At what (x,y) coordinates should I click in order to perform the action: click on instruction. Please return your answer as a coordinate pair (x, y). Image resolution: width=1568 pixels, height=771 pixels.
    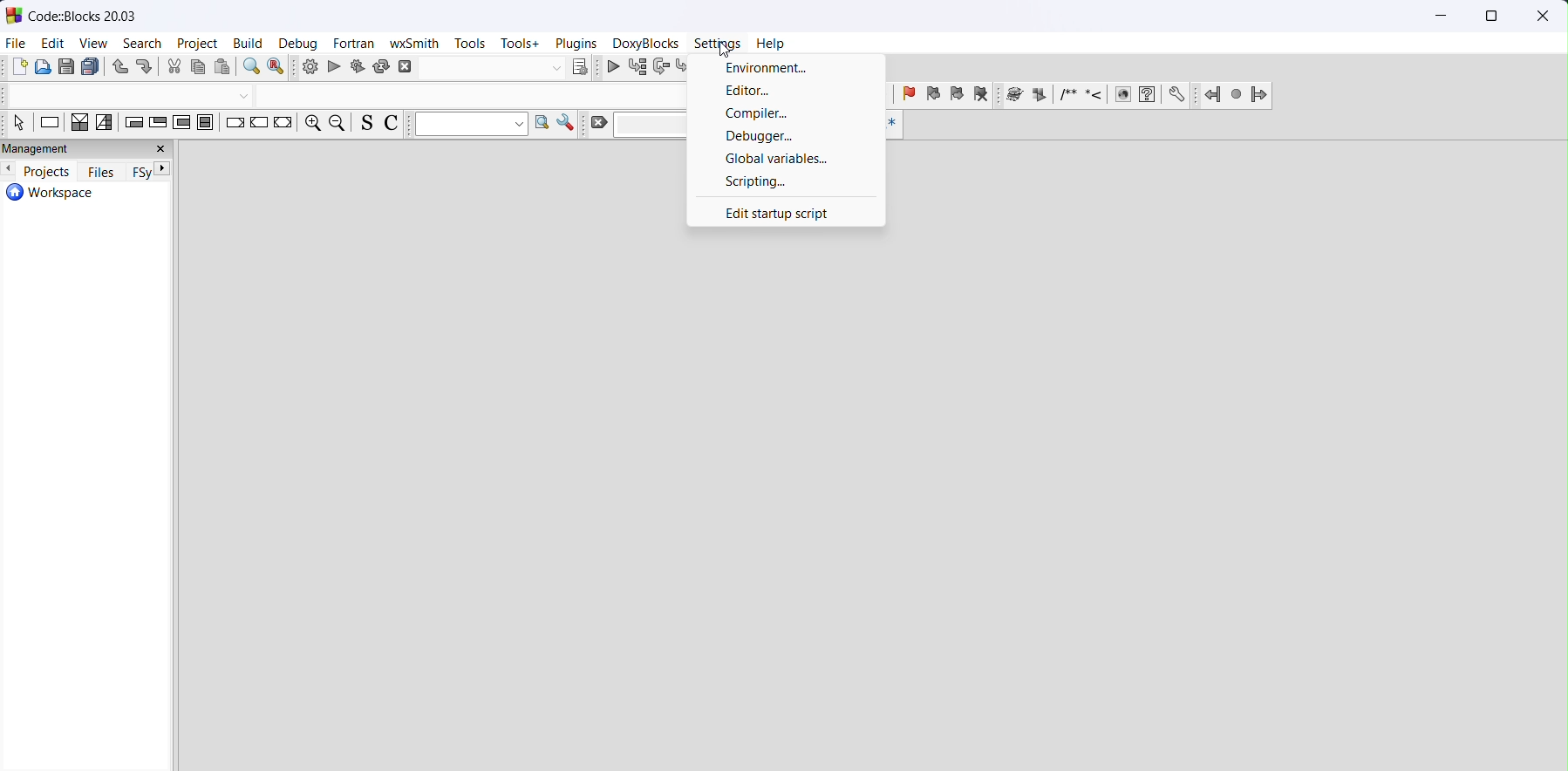
    Looking at the image, I should click on (48, 124).